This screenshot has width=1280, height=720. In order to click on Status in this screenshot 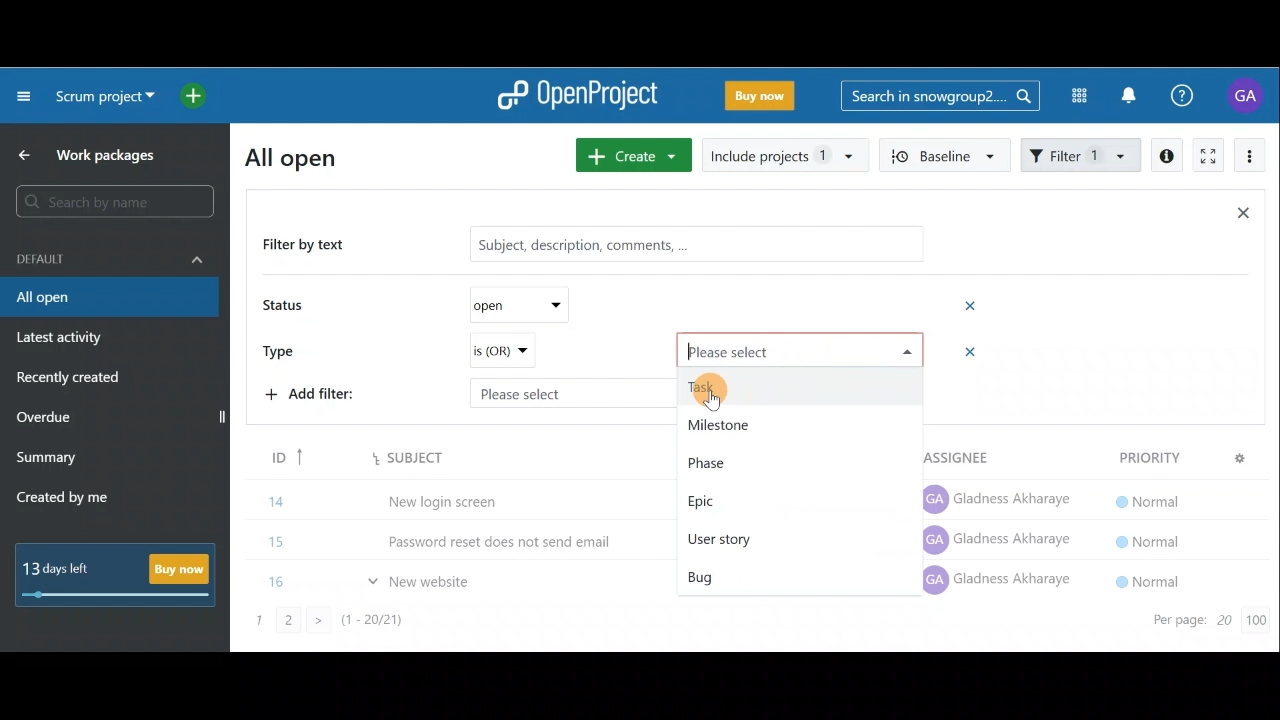, I will do `click(286, 307)`.